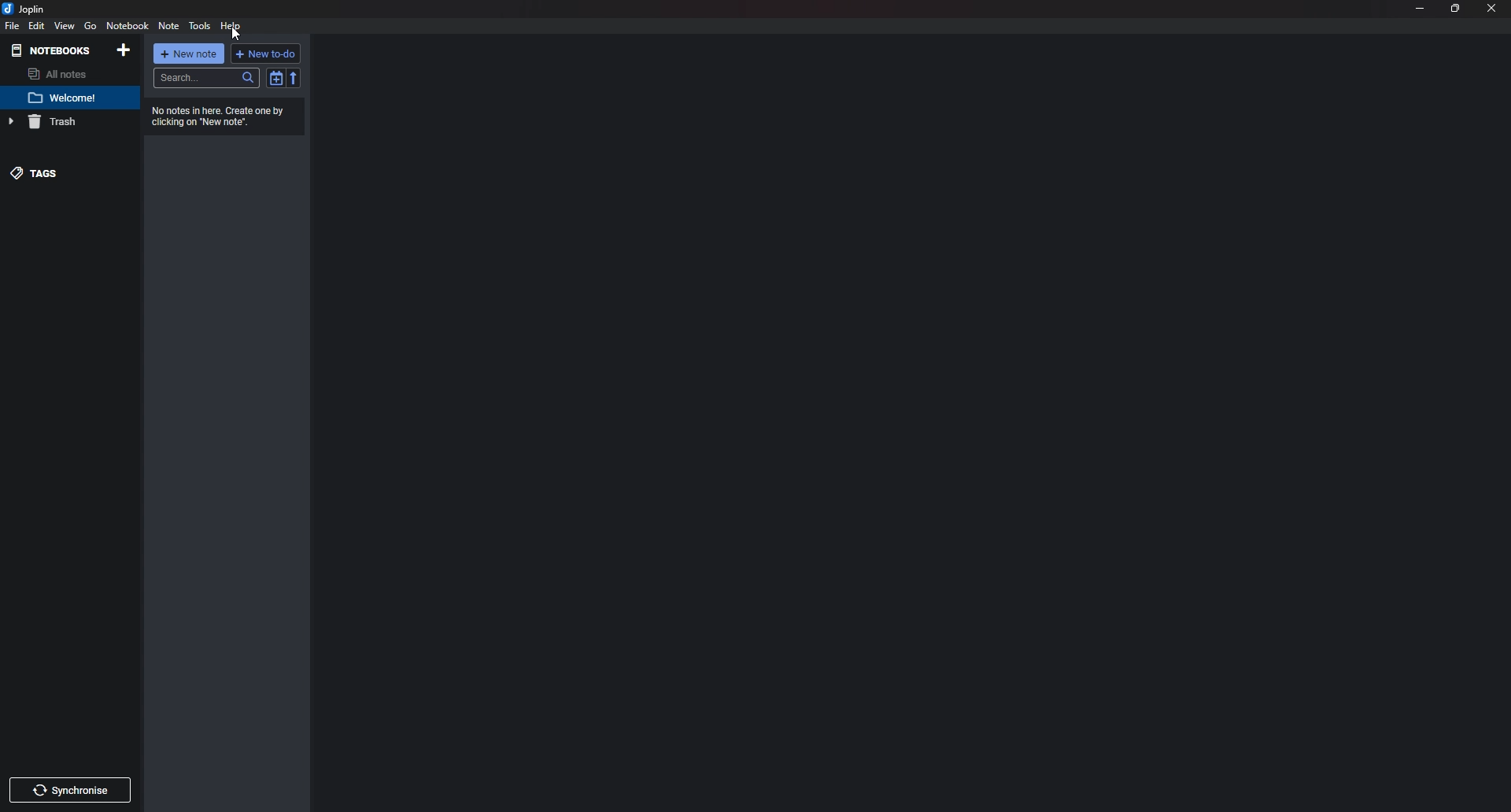  Describe the element at coordinates (1420, 9) in the screenshot. I see `minimize` at that location.